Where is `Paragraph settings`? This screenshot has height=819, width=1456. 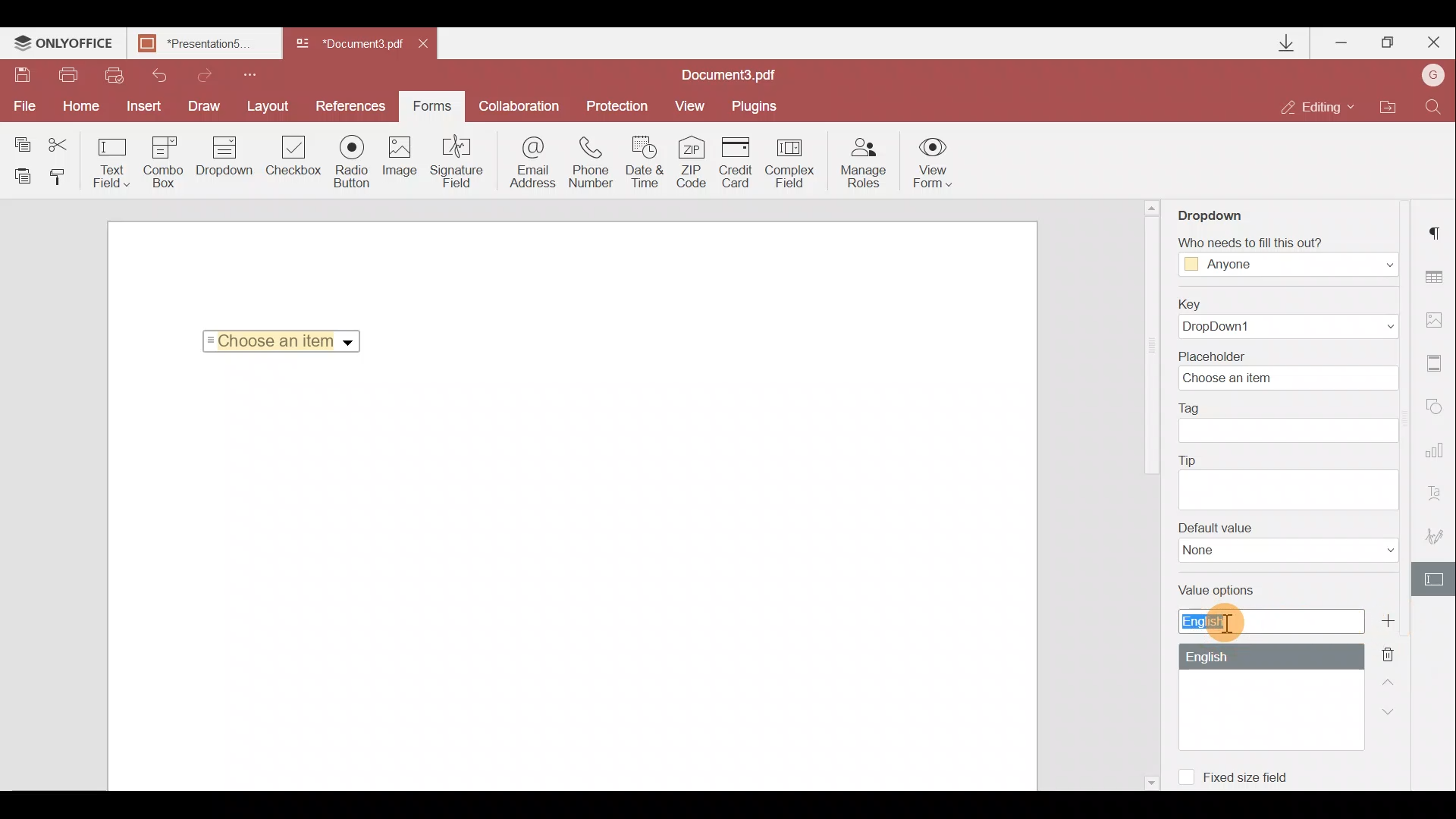
Paragraph settings is located at coordinates (1438, 228).